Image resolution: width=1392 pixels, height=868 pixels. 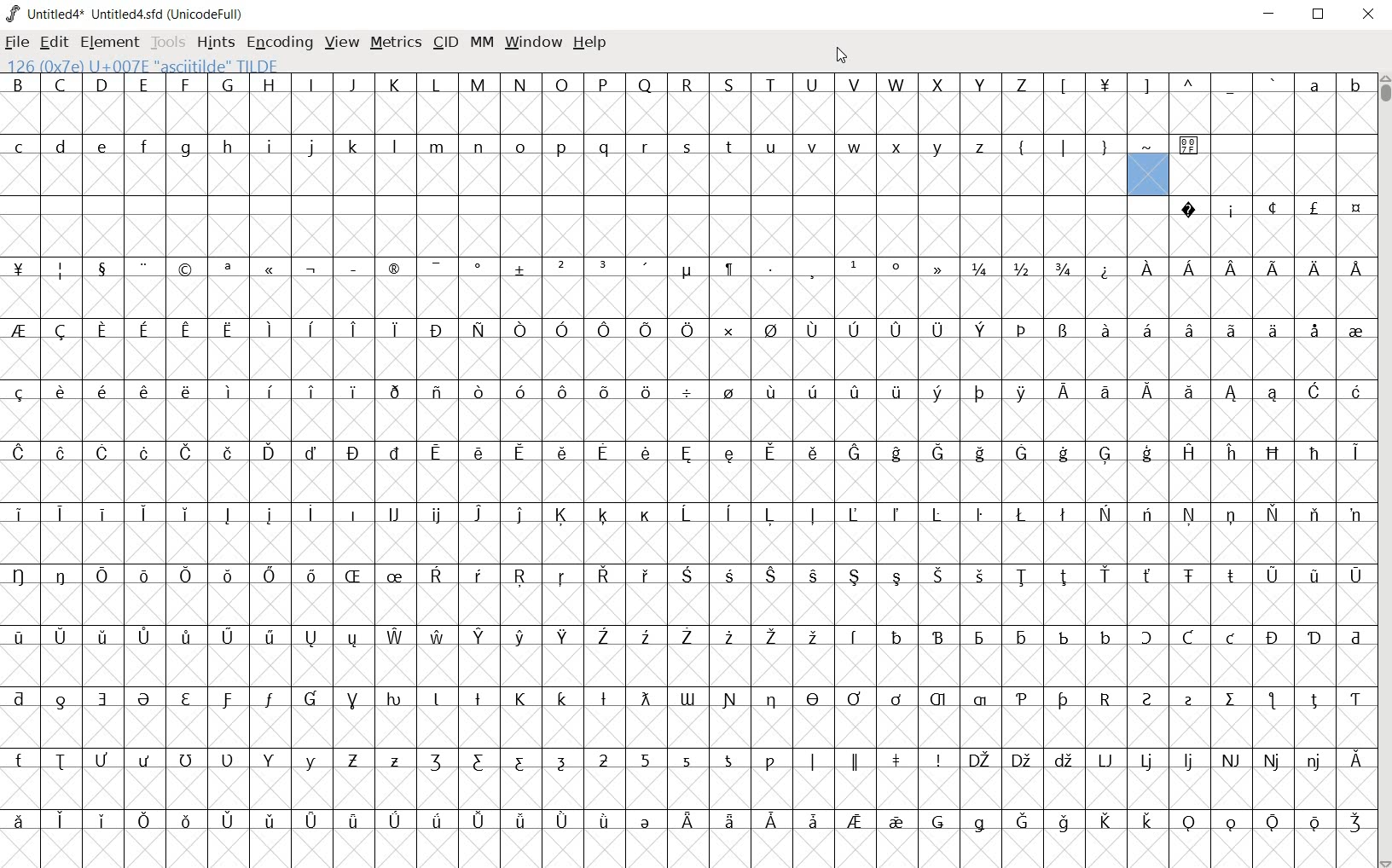 What do you see at coordinates (109, 42) in the screenshot?
I see `ELEMENT` at bounding box center [109, 42].